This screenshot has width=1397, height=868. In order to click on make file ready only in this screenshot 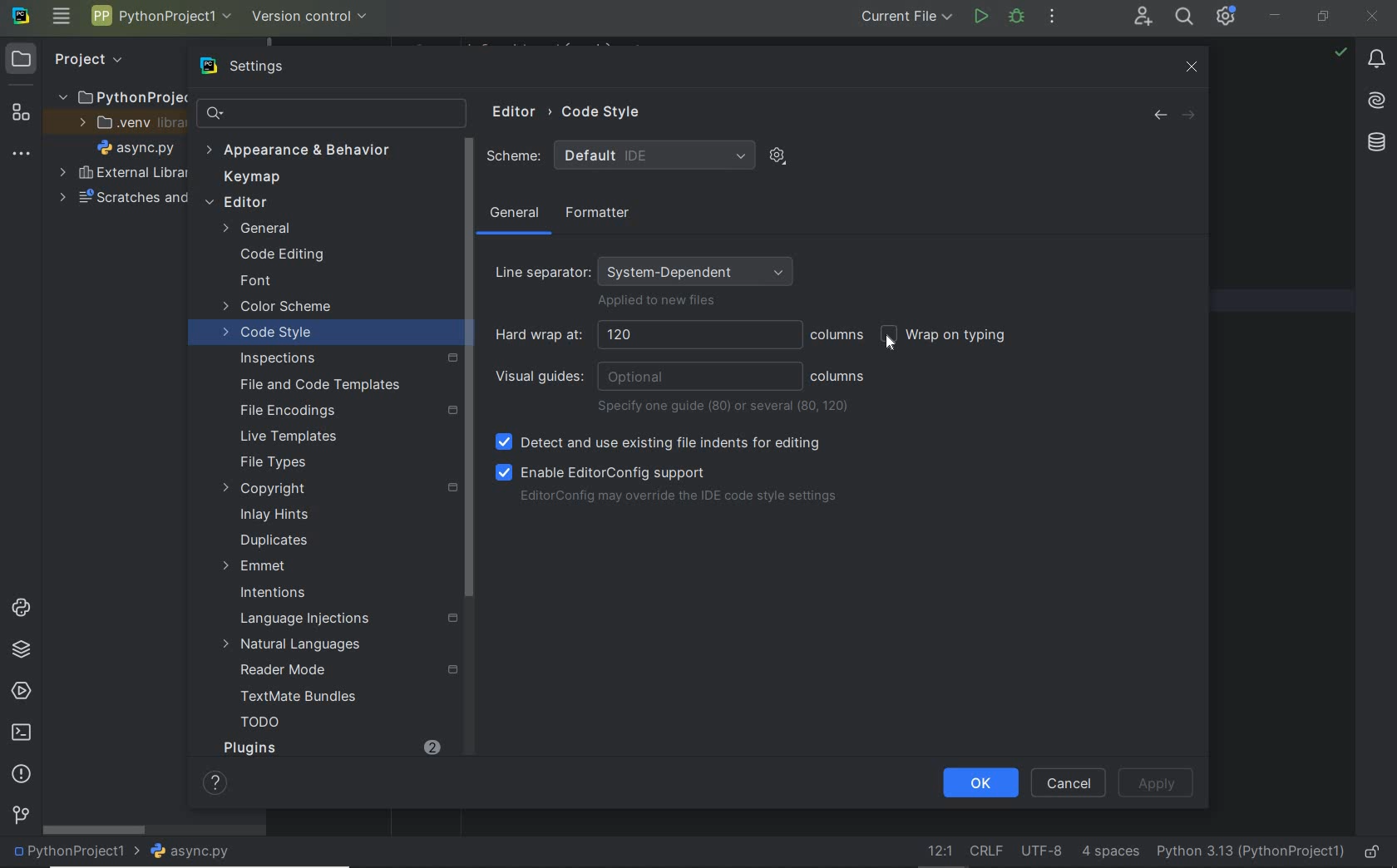, I will do `click(1375, 852)`.